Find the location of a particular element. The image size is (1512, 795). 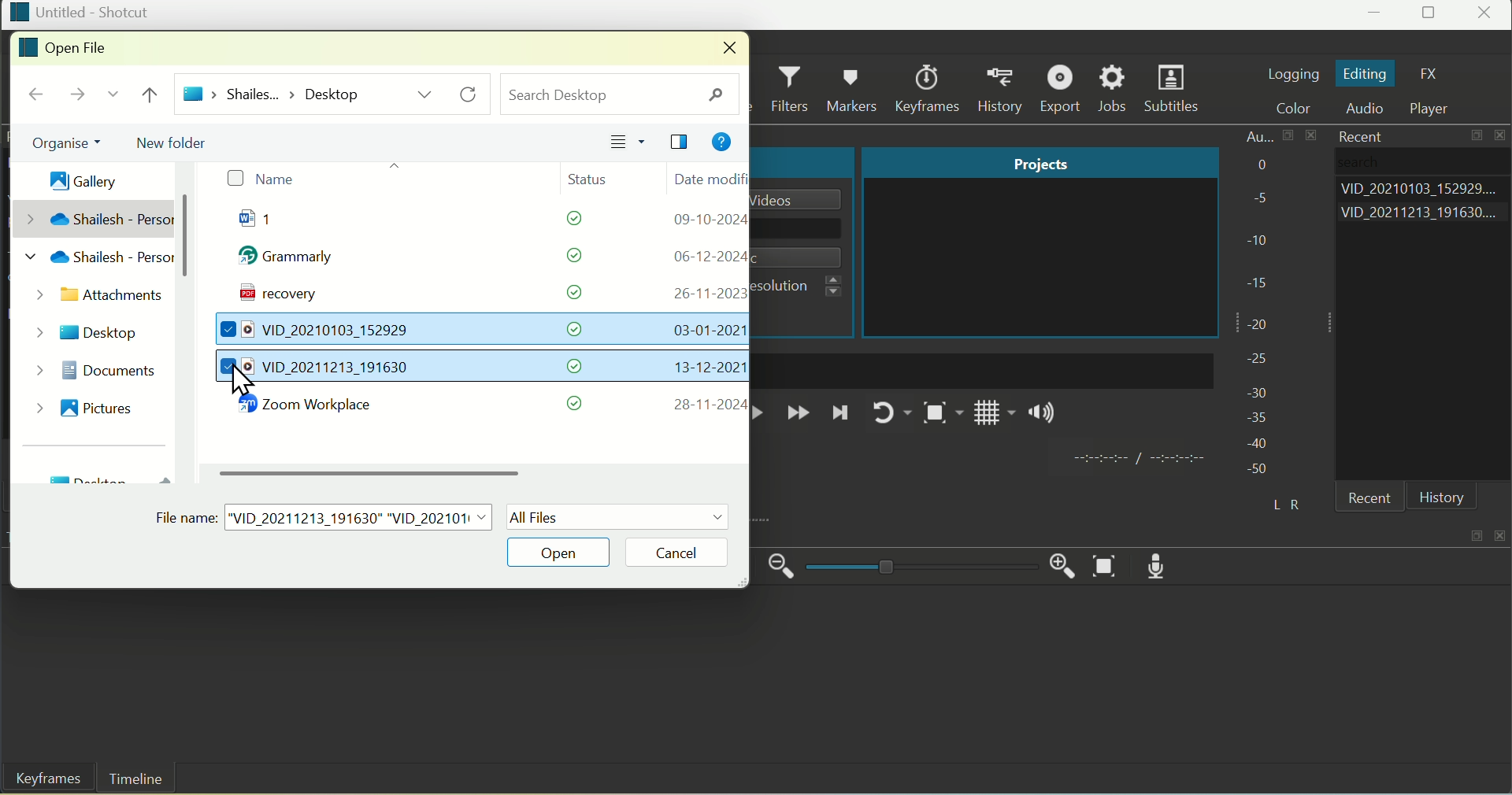

zoom slider is located at coordinates (918, 568).